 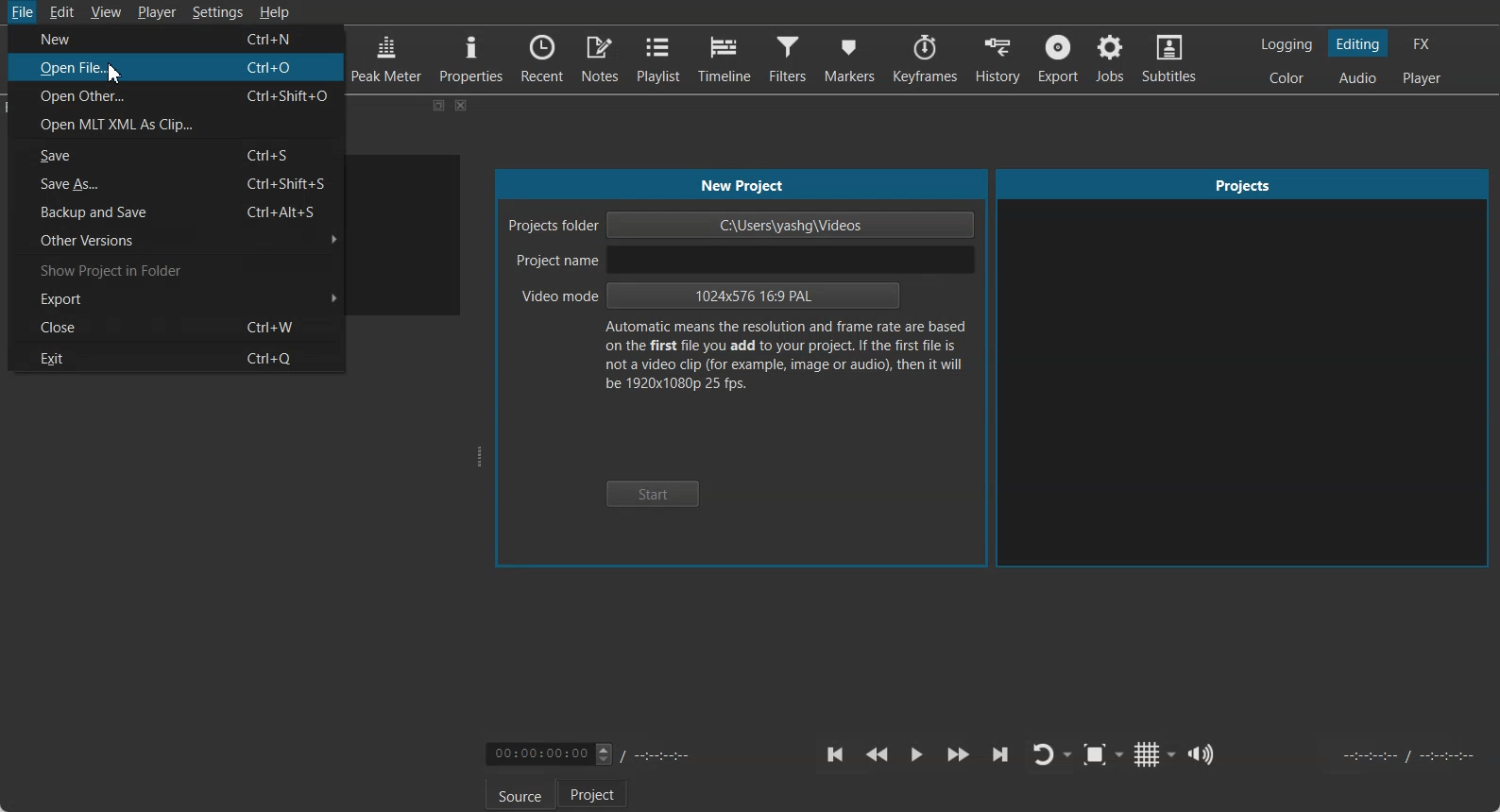 I want to click on Open Other, so click(x=178, y=96).